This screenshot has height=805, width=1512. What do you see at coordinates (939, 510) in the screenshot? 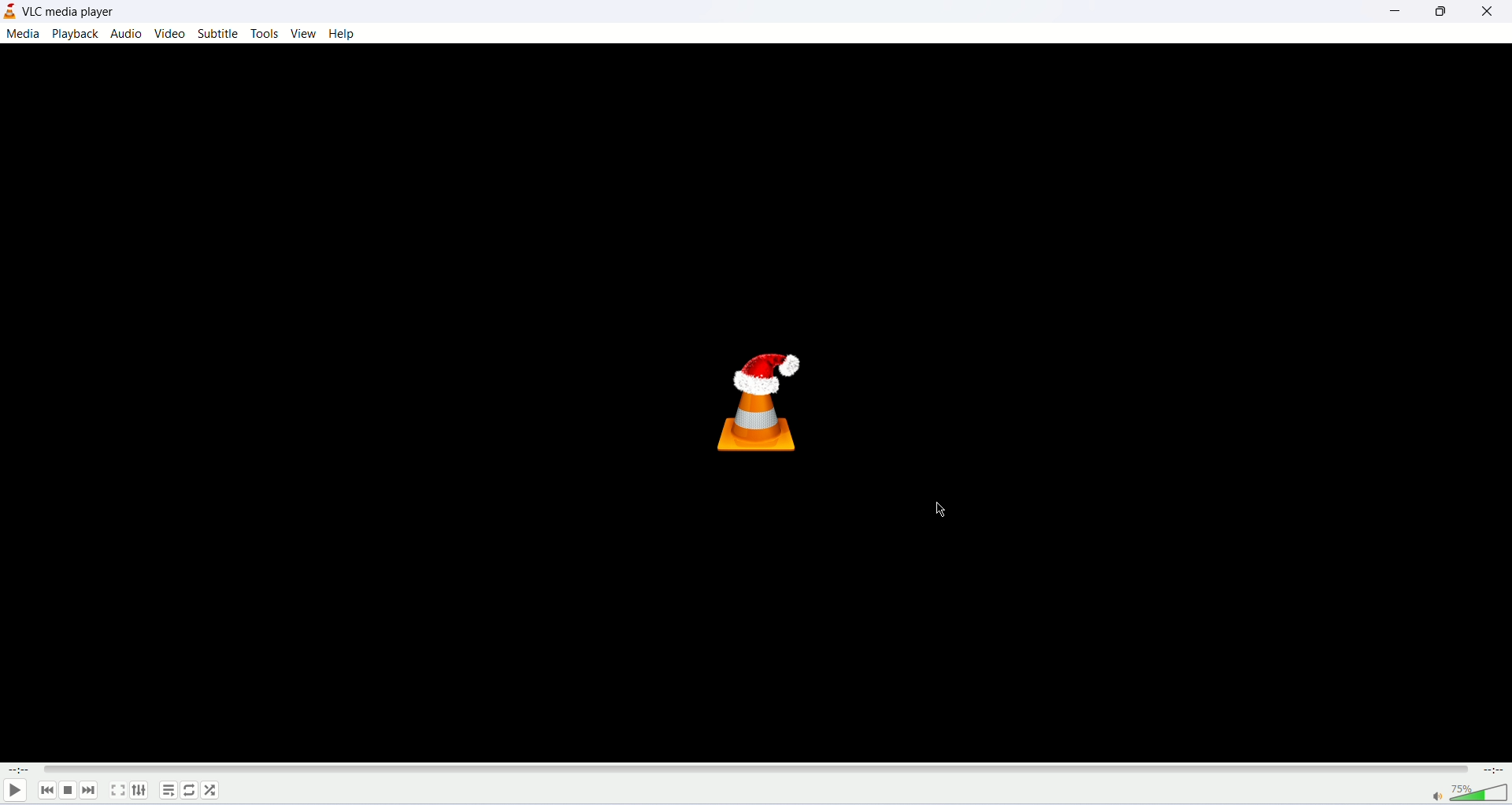
I see `cursor` at bounding box center [939, 510].